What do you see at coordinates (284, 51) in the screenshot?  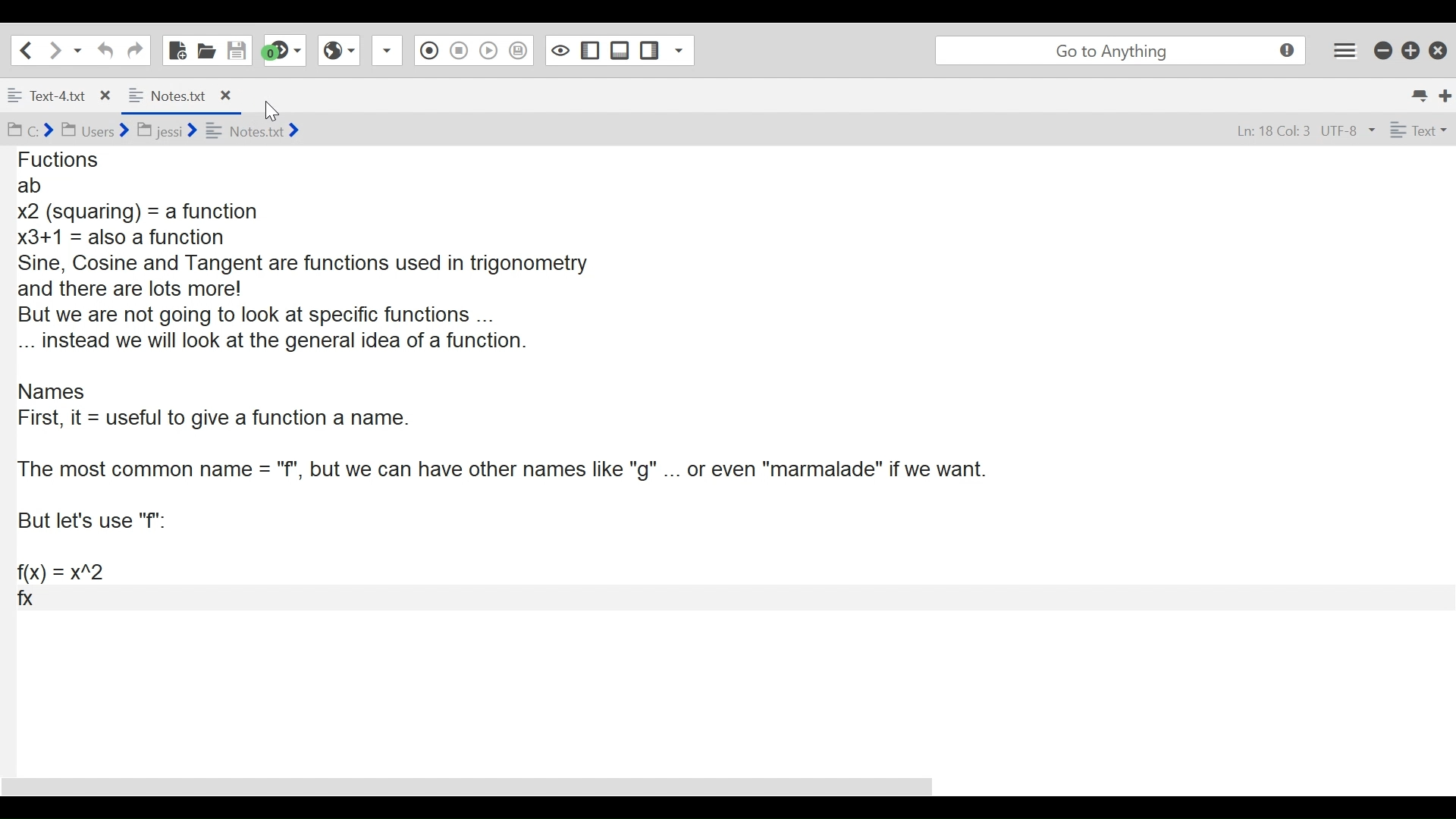 I see `Jump to the next Syntax checking result` at bounding box center [284, 51].